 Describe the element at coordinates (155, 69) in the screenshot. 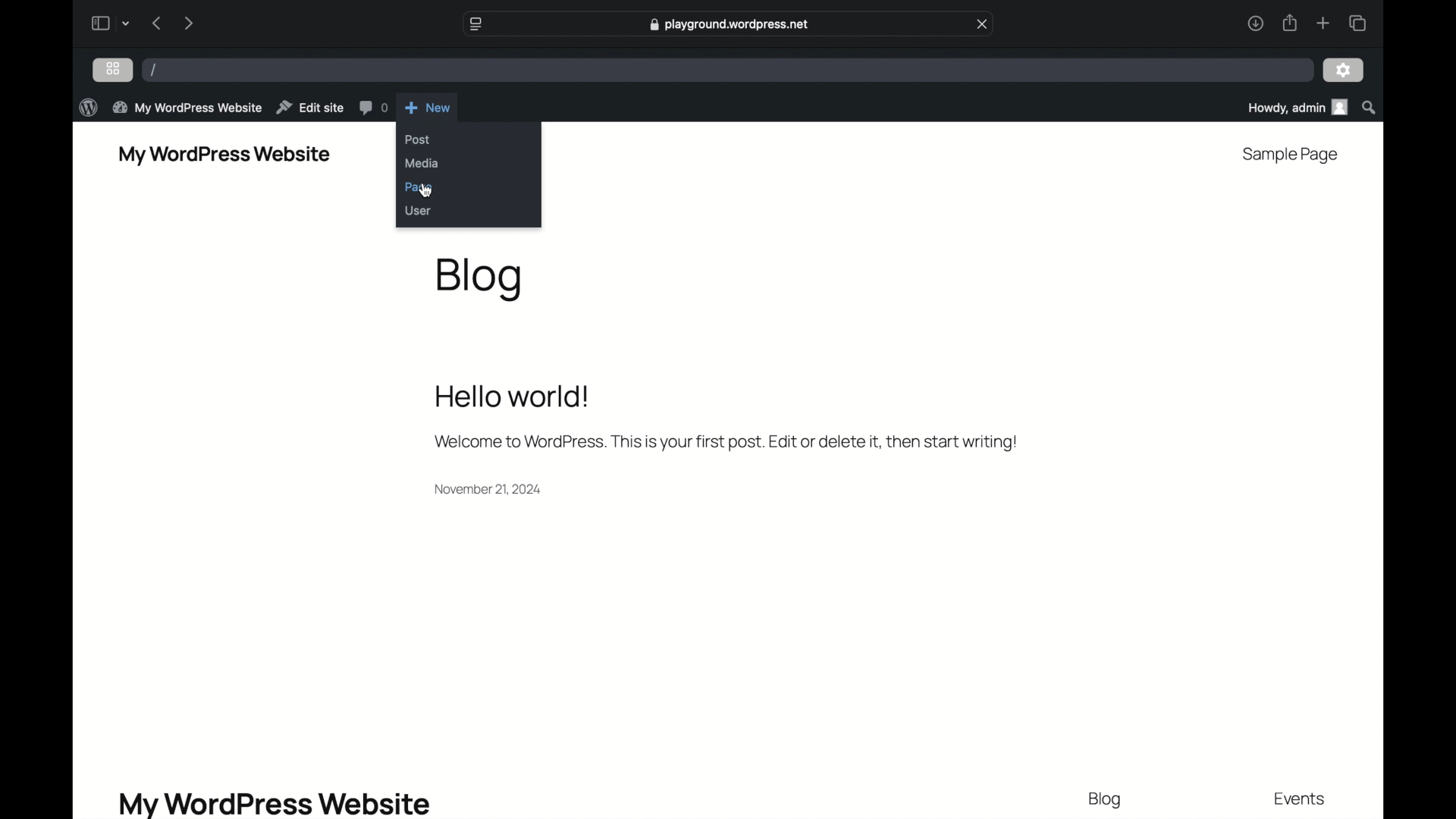

I see `/` at that location.